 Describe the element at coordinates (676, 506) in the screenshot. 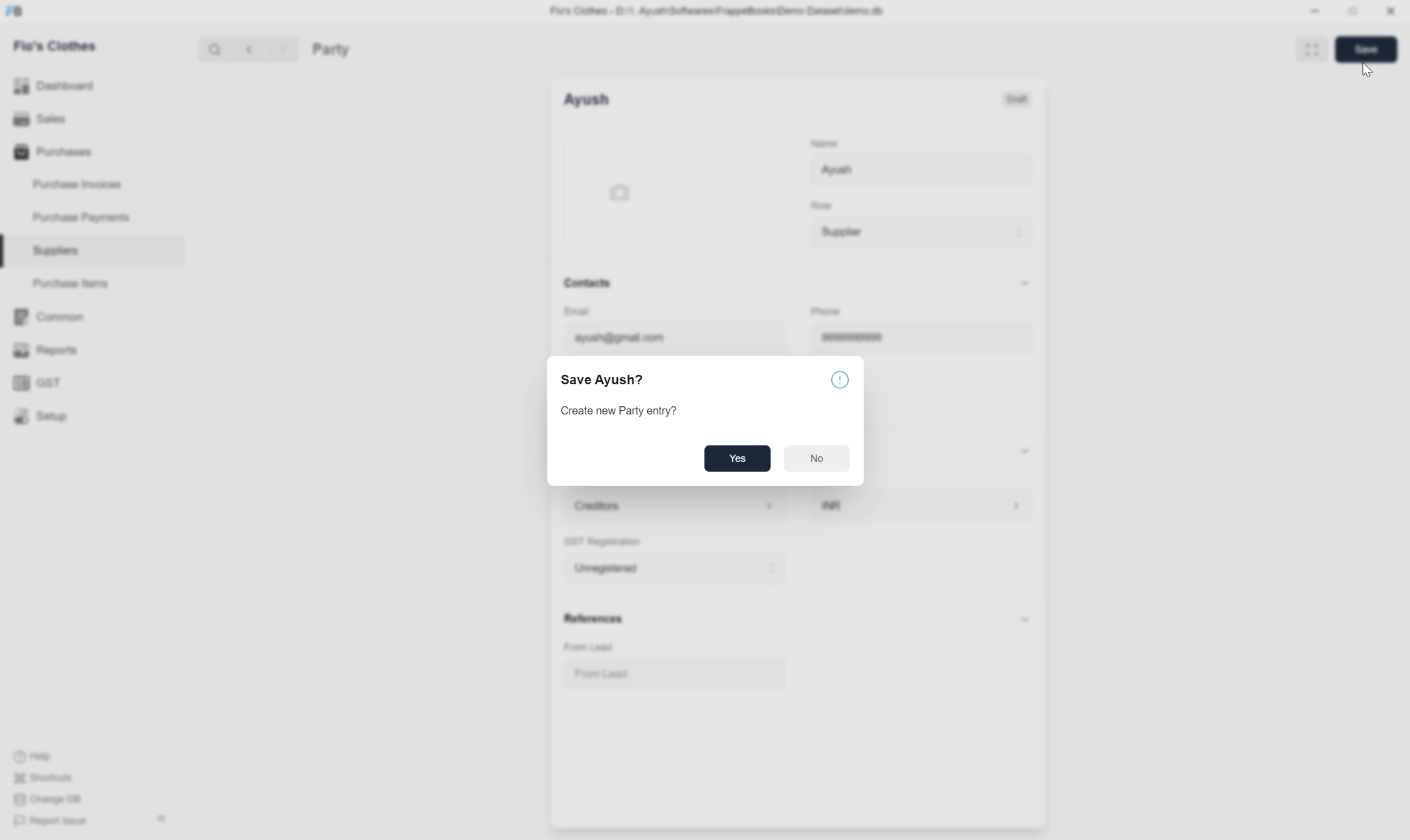

I see `Default Account` at that location.